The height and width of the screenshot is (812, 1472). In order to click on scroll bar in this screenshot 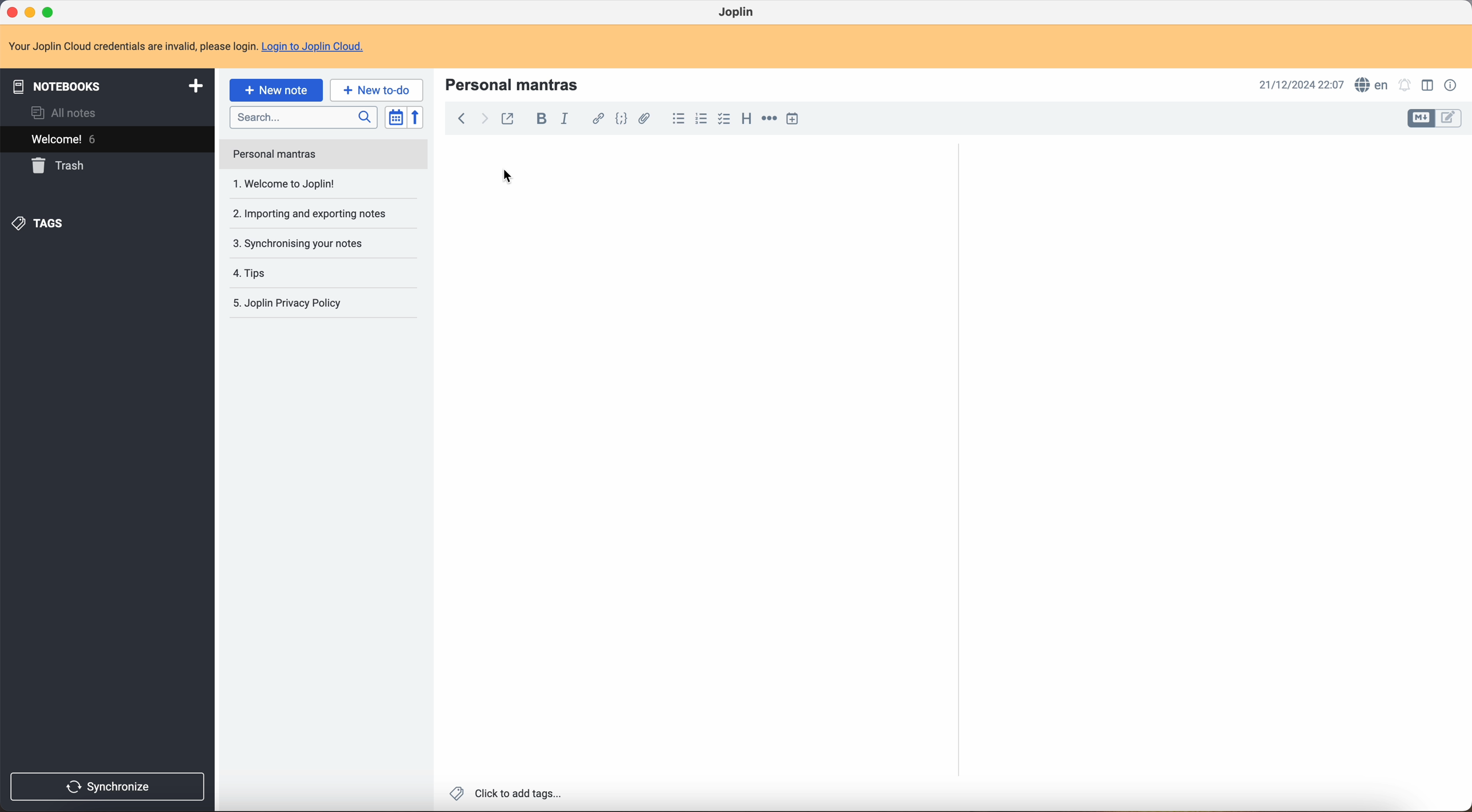, I will do `click(1463, 360)`.